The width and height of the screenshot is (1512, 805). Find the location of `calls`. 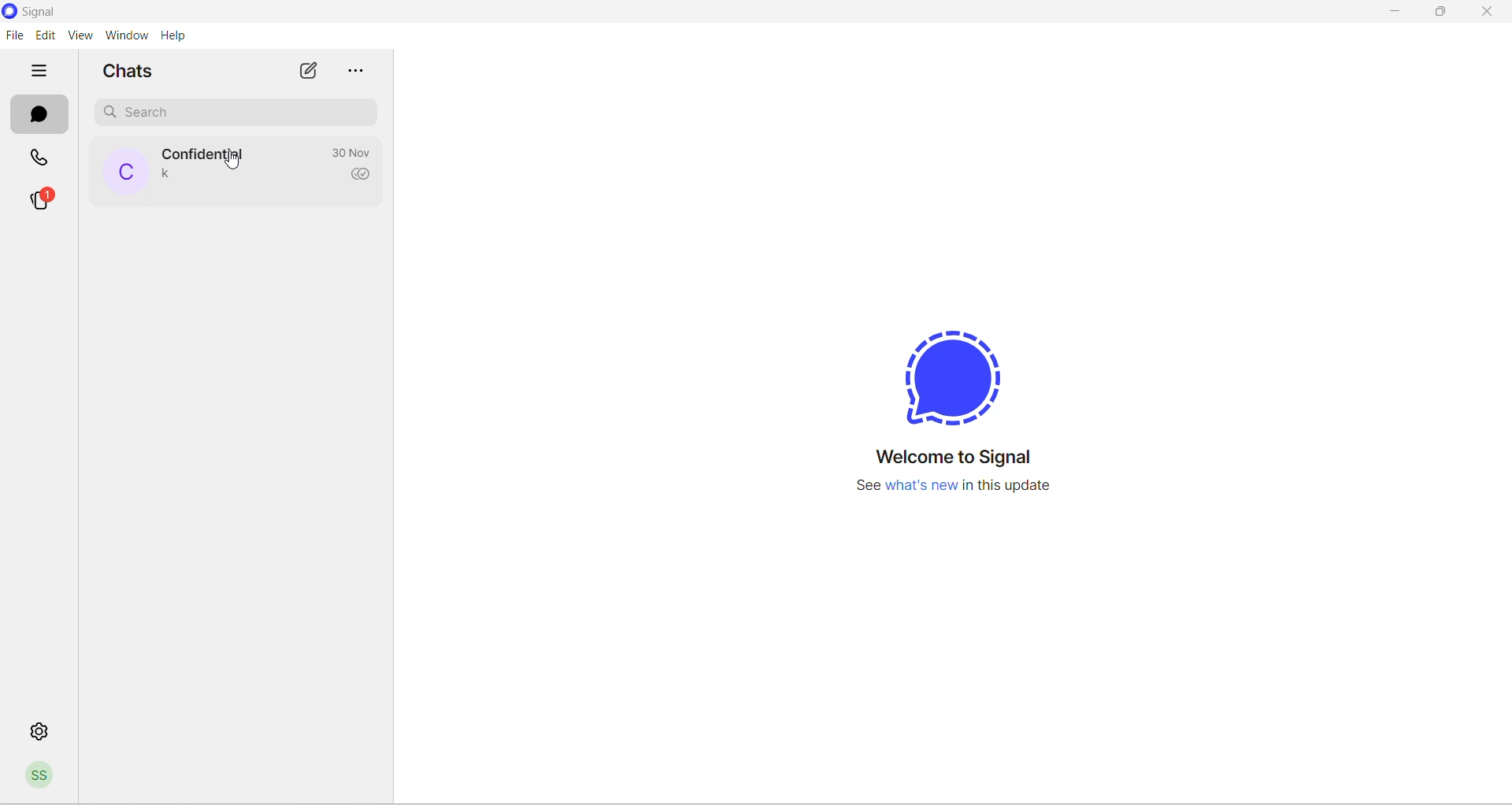

calls is located at coordinates (43, 155).